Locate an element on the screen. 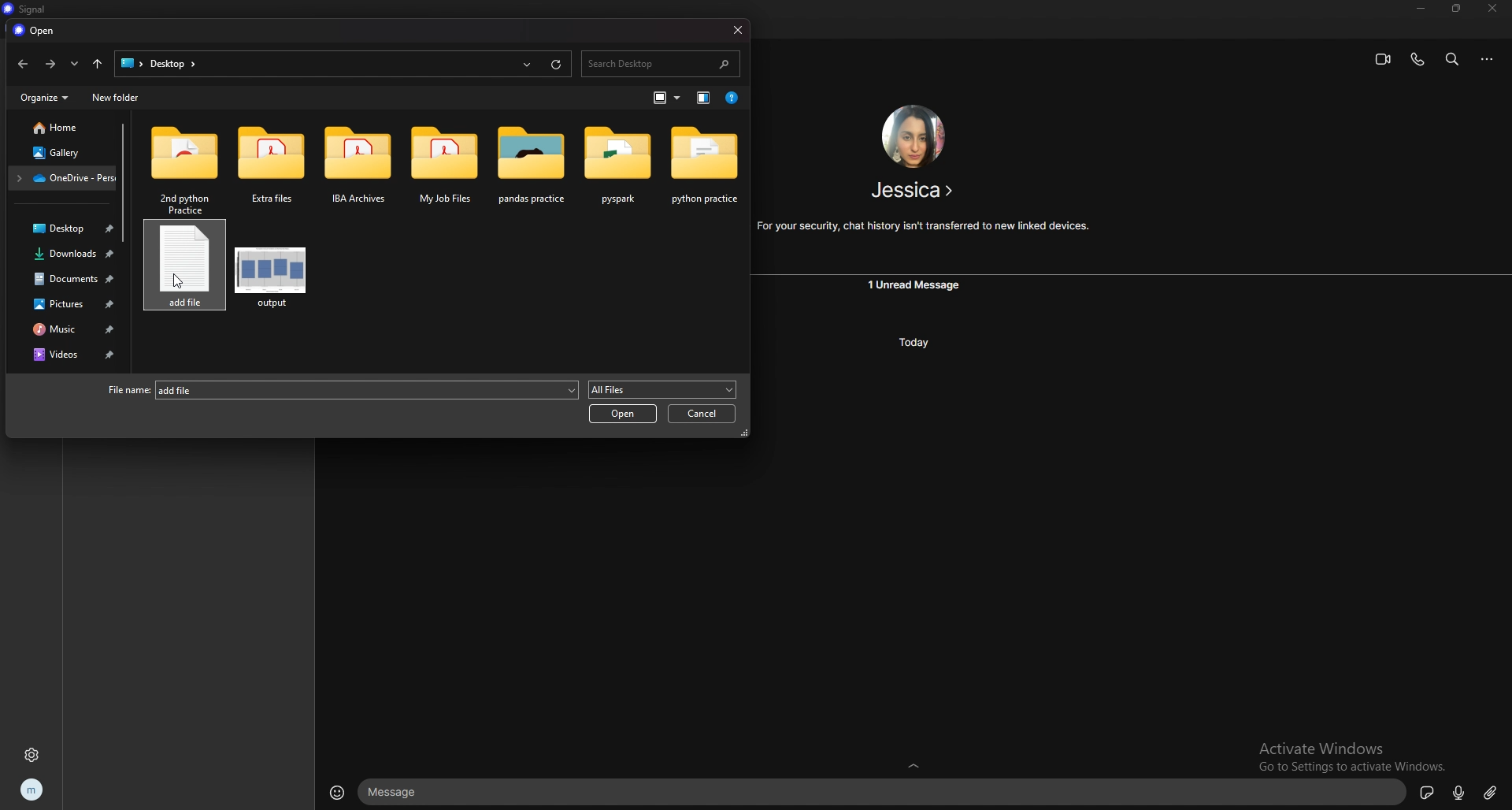 This screenshot has height=810, width=1512. videos is located at coordinates (68, 355).